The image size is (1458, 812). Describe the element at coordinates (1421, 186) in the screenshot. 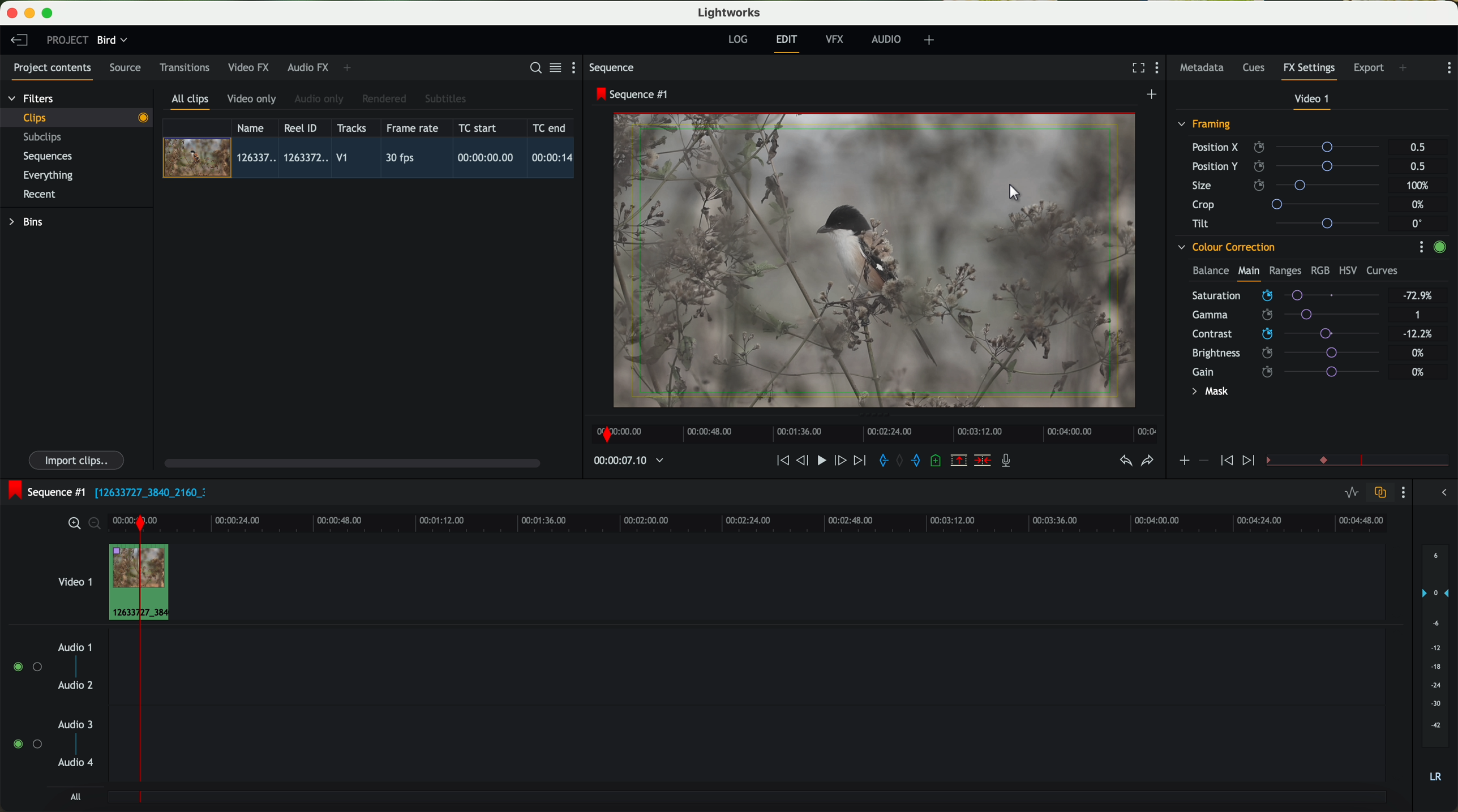

I see `100%` at that location.